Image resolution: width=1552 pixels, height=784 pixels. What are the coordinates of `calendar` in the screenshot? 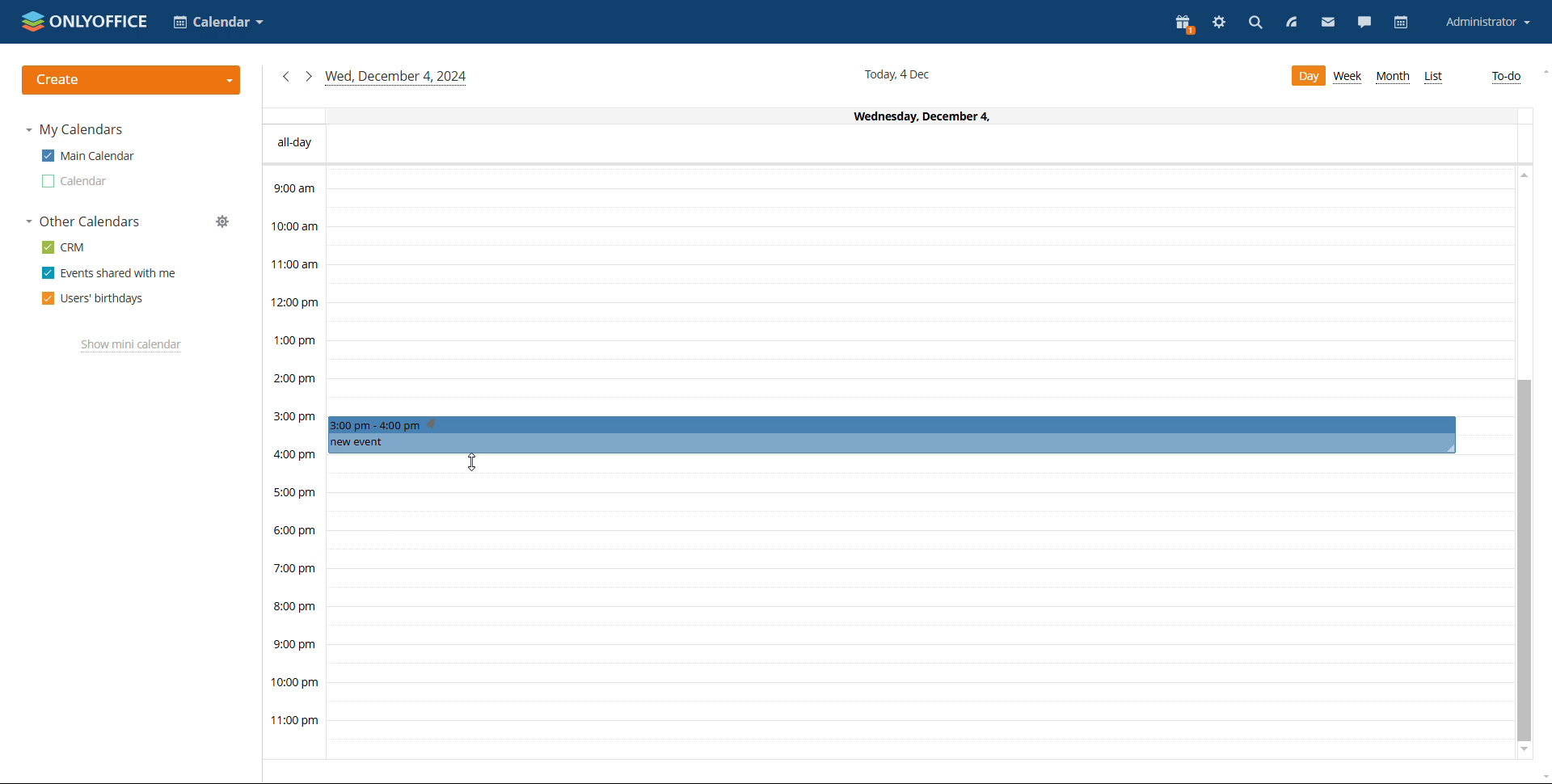 It's located at (1403, 22).